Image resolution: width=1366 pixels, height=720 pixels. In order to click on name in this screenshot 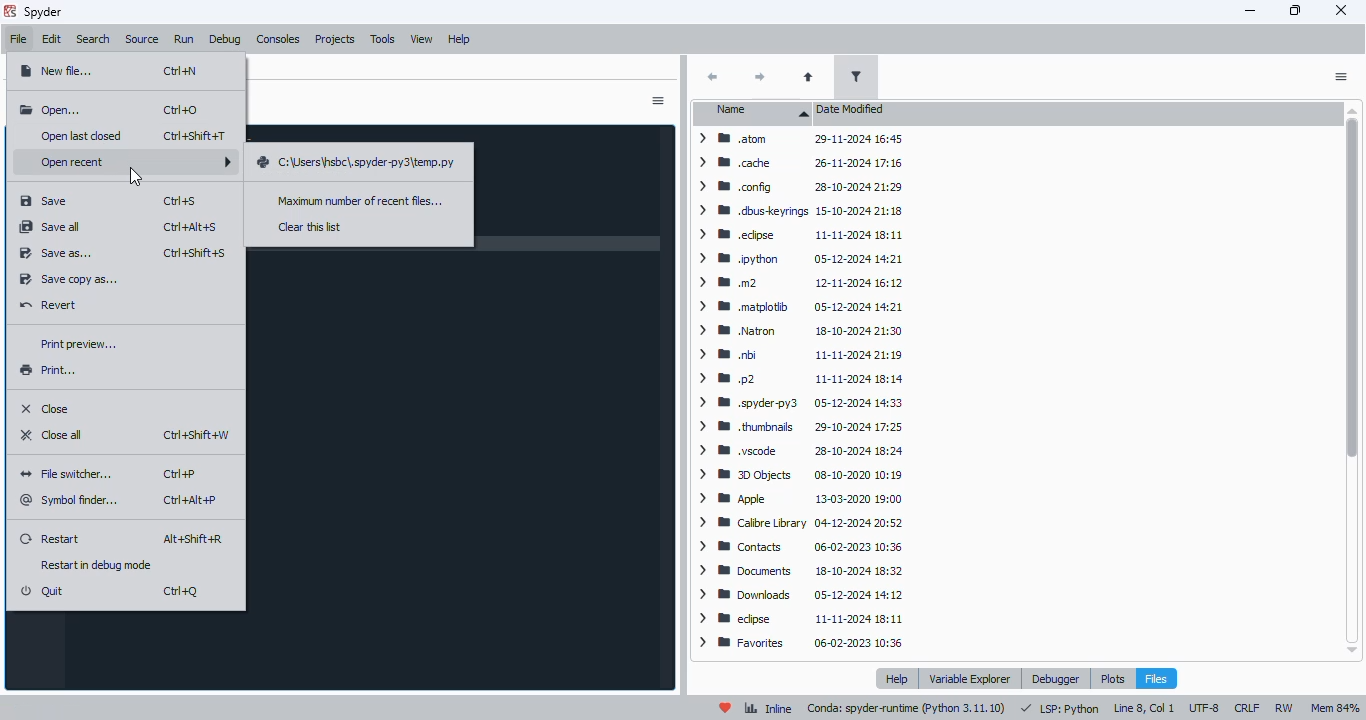, I will do `click(754, 112)`.